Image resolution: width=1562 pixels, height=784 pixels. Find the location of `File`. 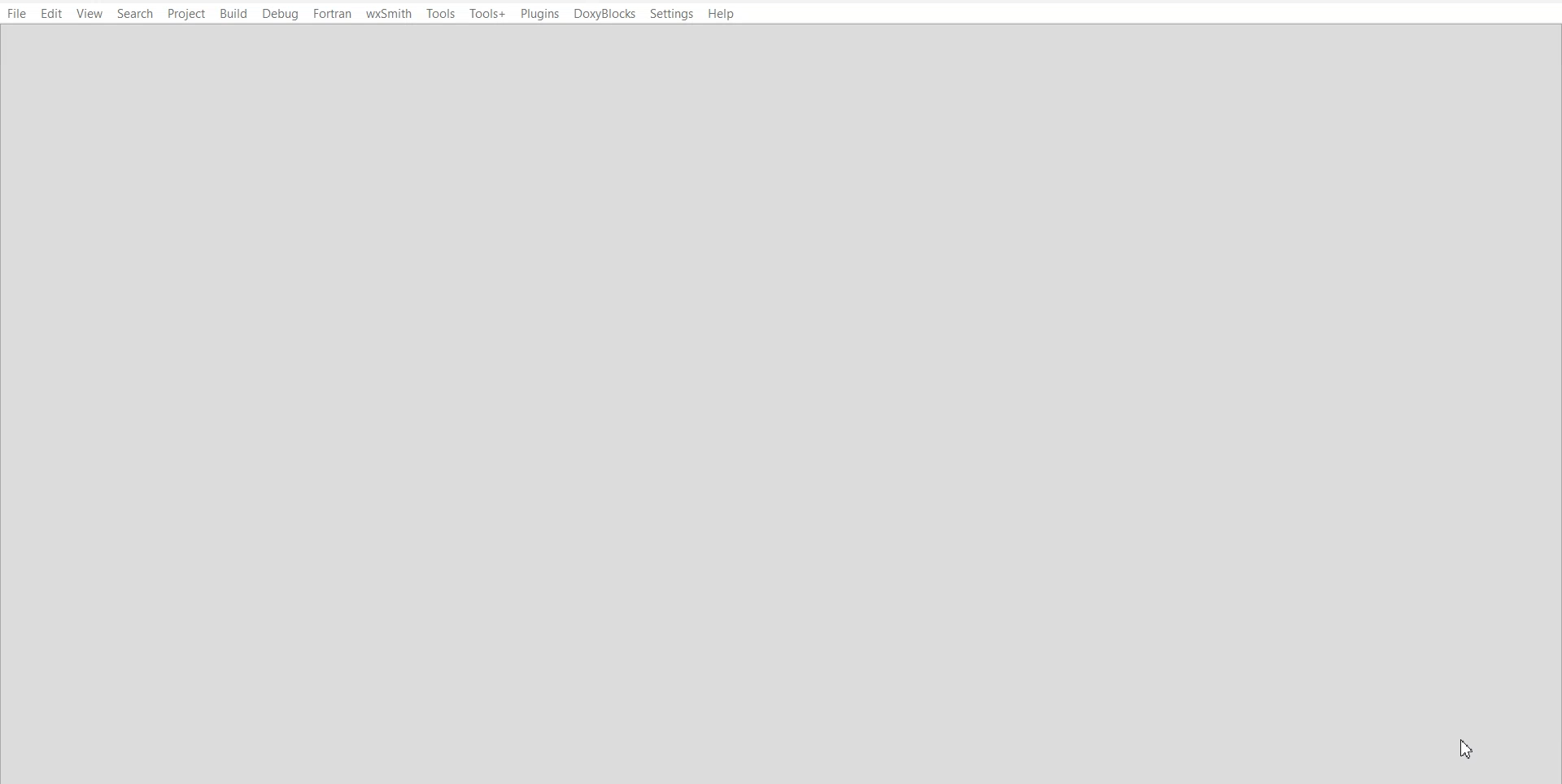

File is located at coordinates (17, 13).